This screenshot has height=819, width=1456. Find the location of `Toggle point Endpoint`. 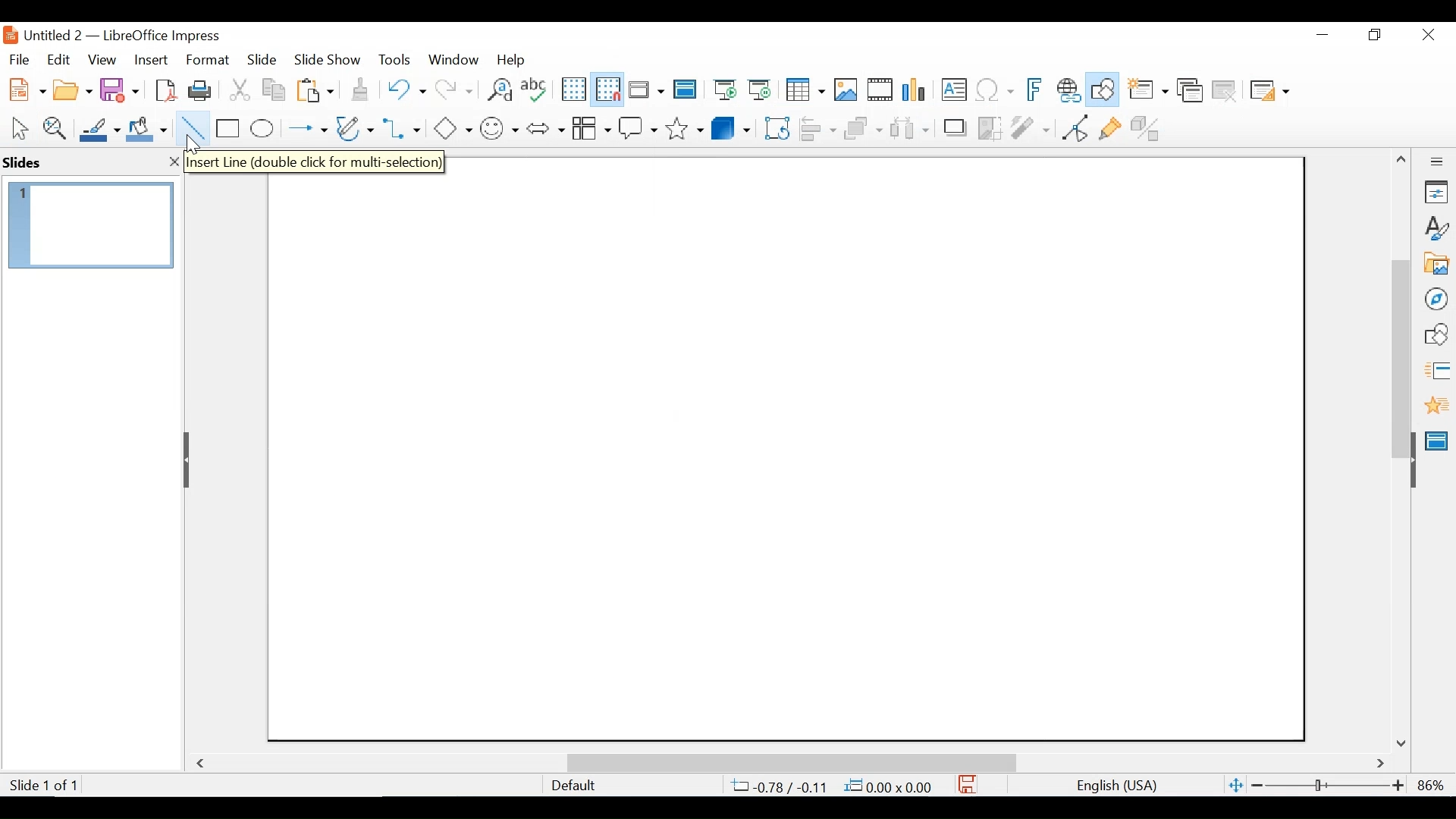

Toggle point Endpoint is located at coordinates (1072, 127).